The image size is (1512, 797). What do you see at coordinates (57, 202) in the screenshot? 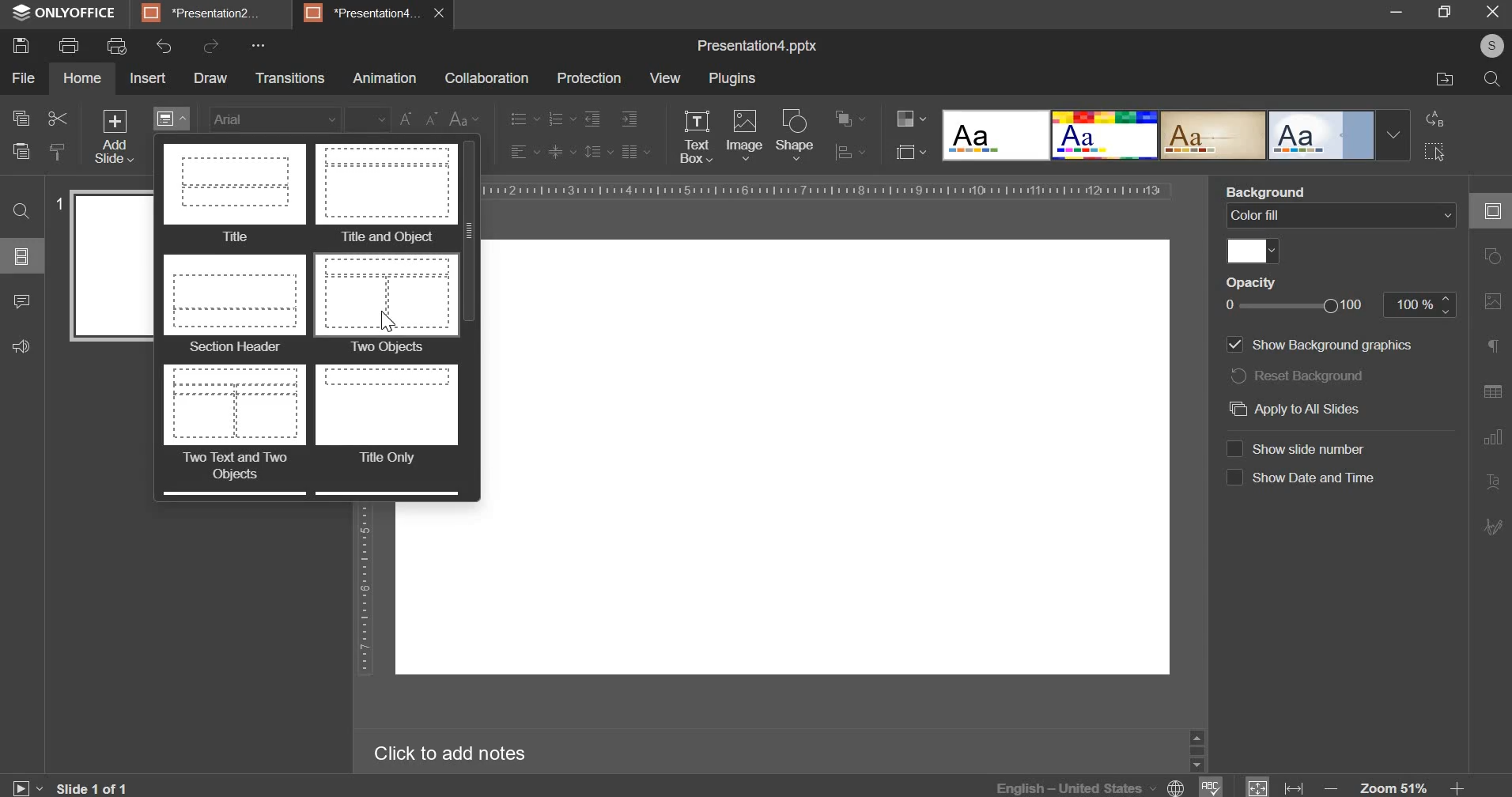
I see `slide number` at bounding box center [57, 202].